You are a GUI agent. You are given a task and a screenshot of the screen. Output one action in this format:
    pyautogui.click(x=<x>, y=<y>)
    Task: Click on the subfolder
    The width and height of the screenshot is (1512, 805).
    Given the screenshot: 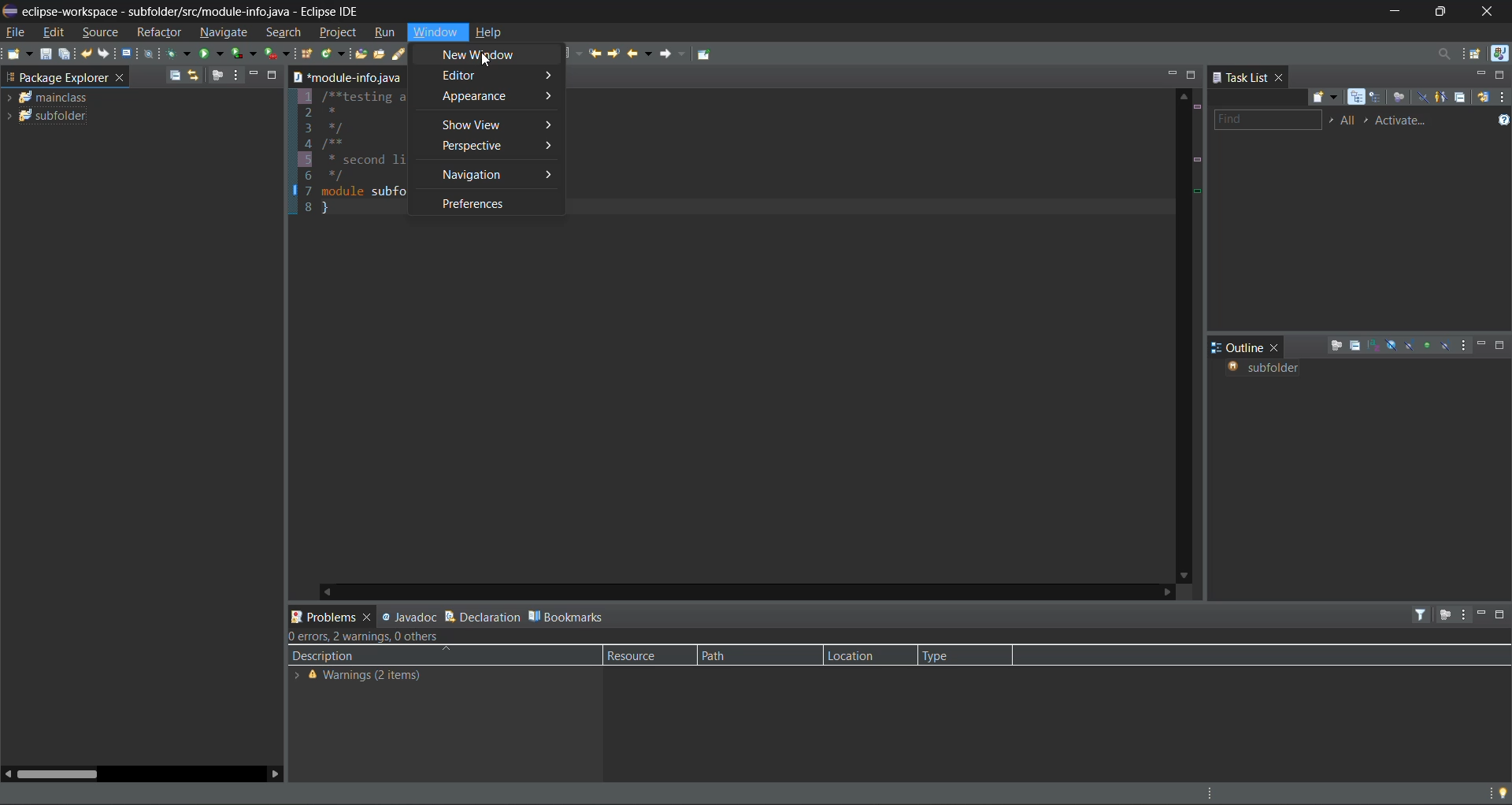 What is the action you would take?
    pyautogui.click(x=1271, y=369)
    